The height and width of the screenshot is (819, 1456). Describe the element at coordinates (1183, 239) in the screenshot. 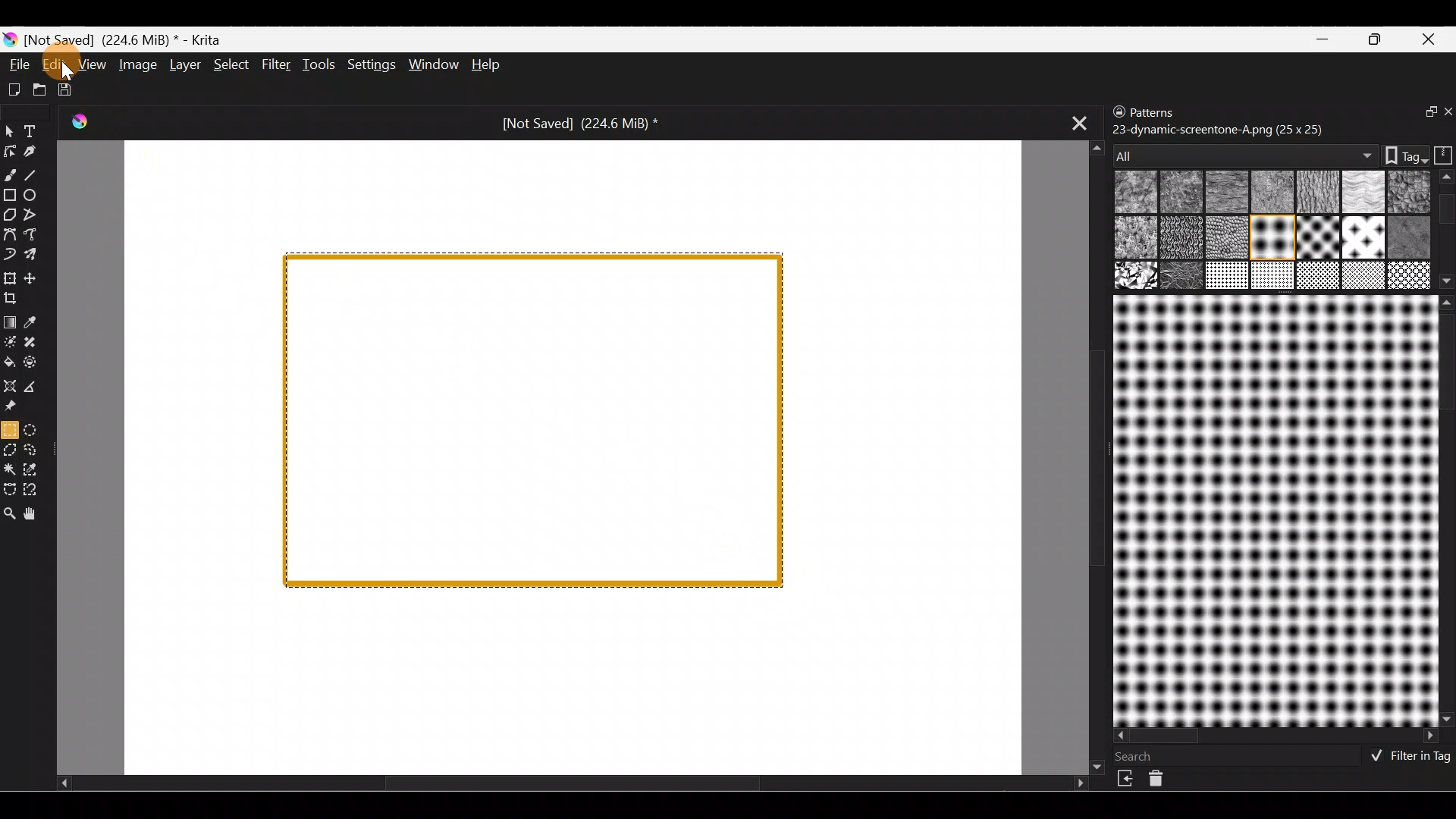

I see `09 drawed_crosshatched.png` at that location.